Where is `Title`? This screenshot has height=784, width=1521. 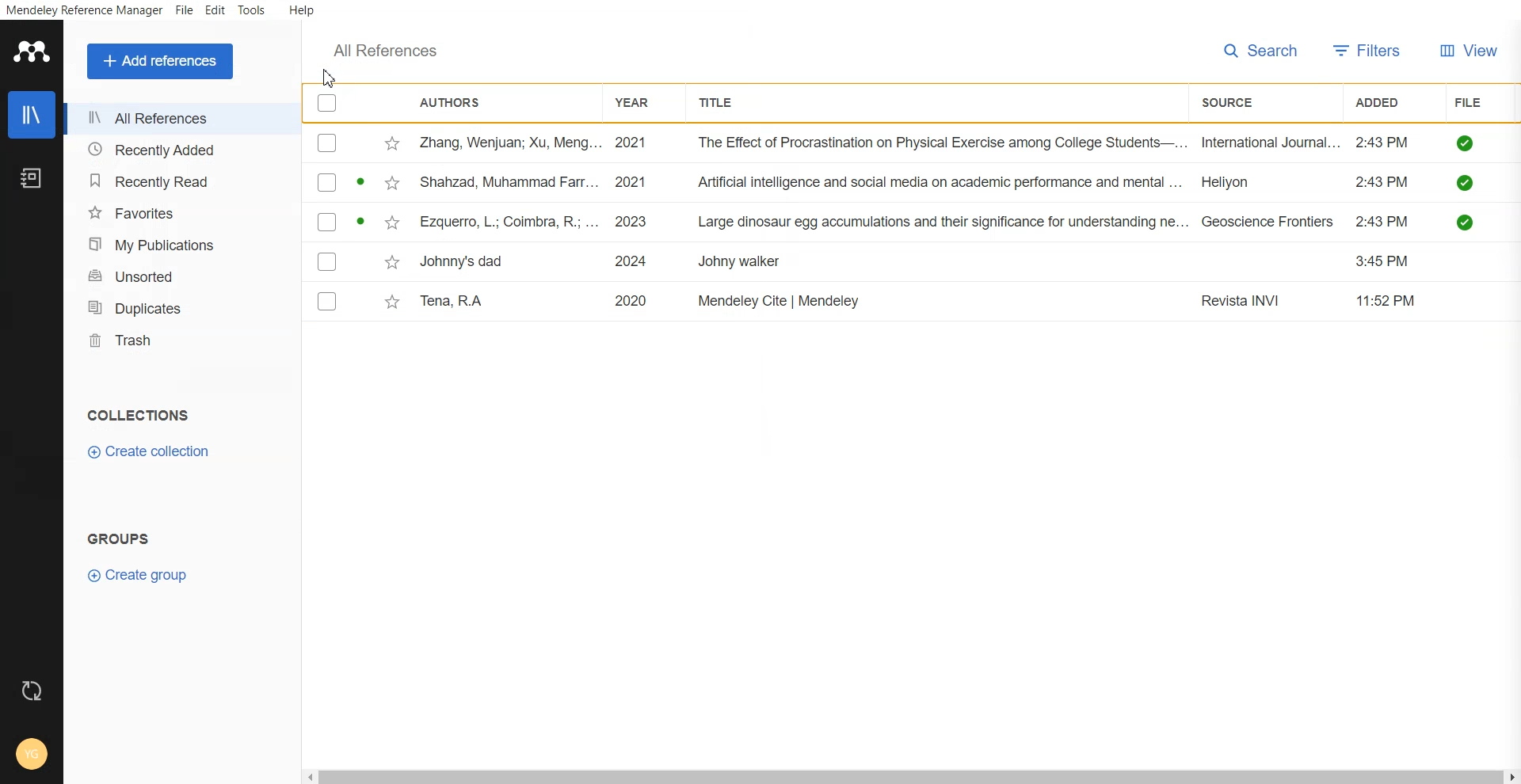
Title is located at coordinates (721, 102).